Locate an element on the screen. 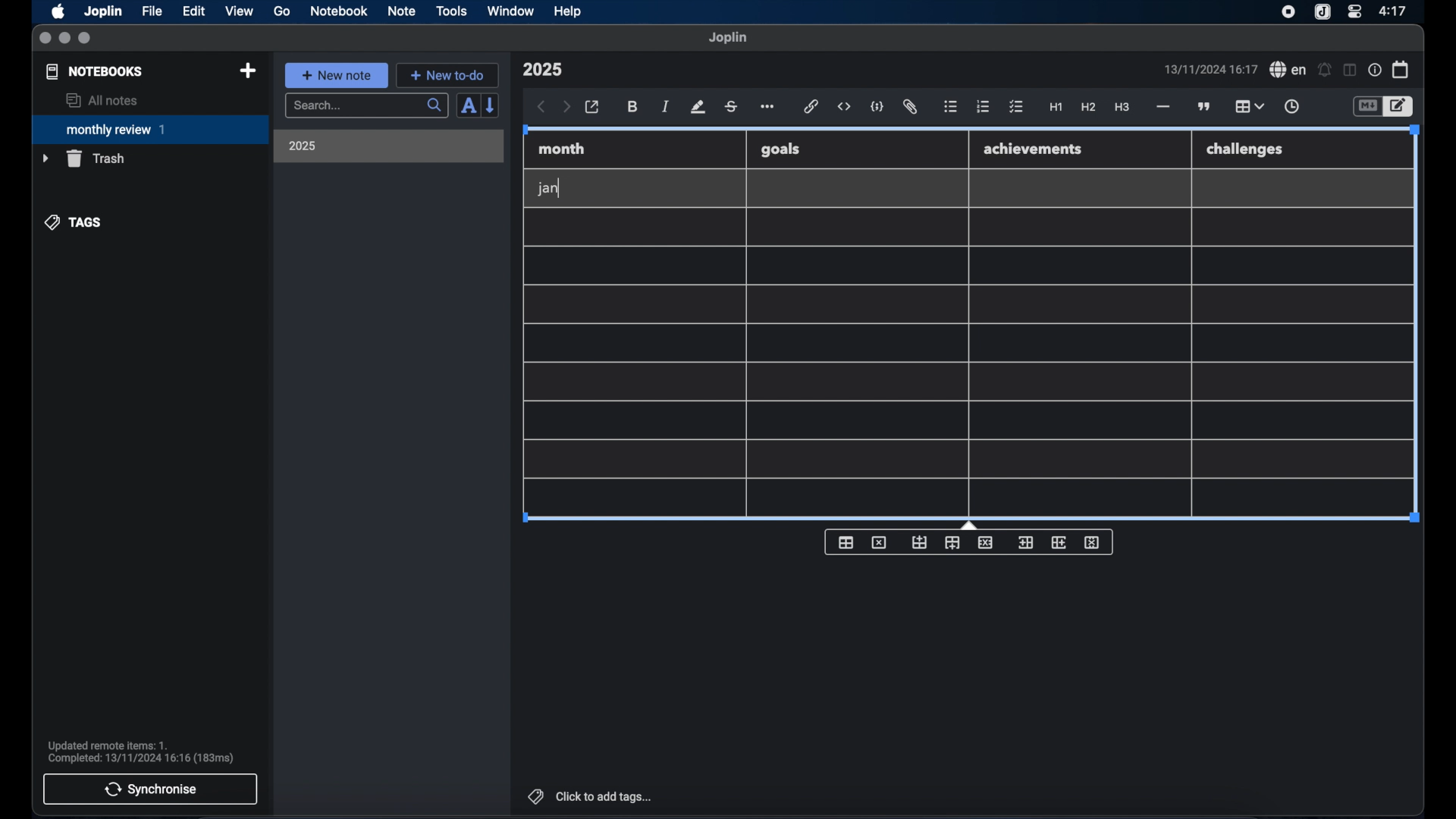  note properties is located at coordinates (1375, 71).